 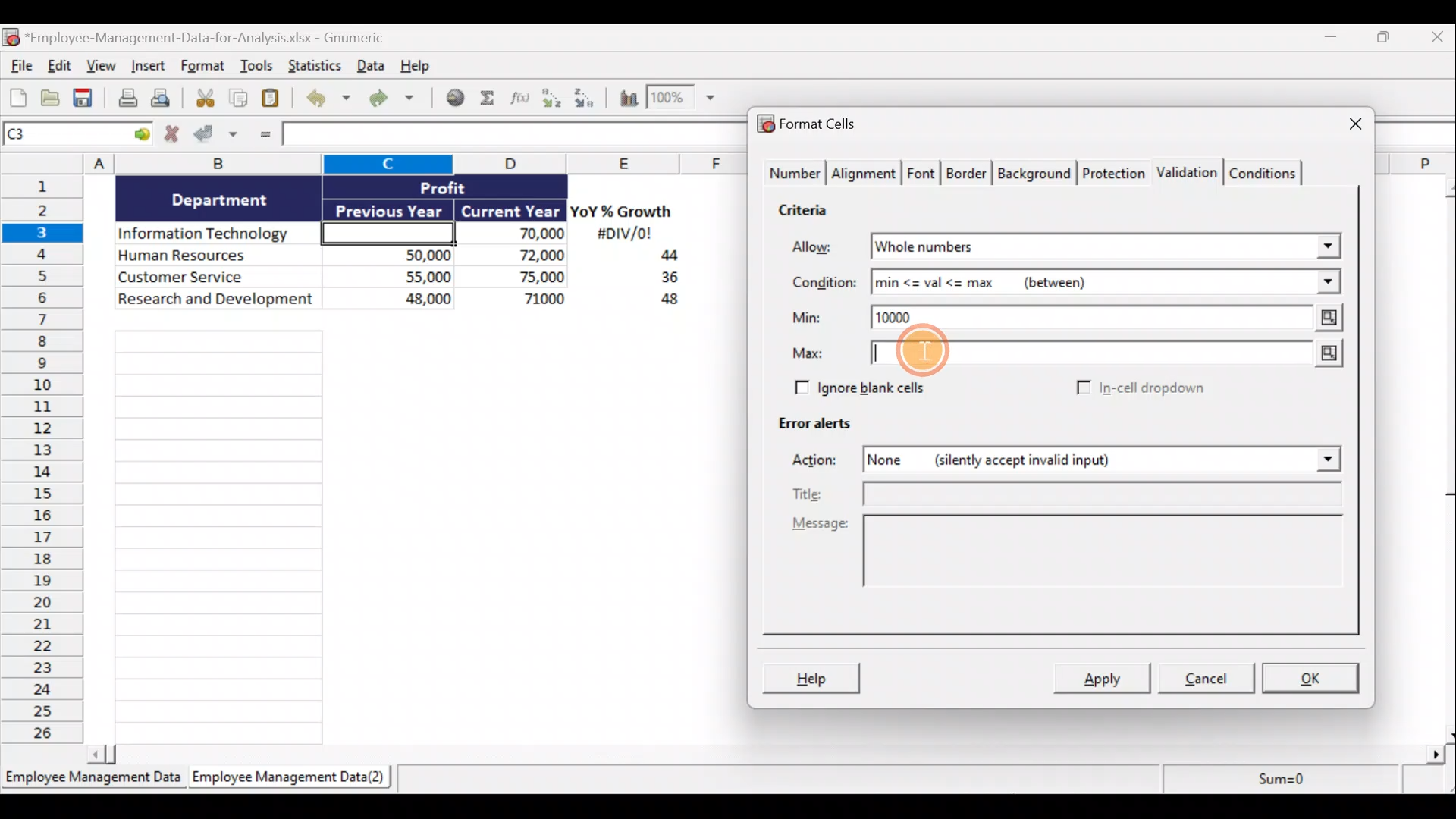 I want to click on File, so click(x=18, y=67).